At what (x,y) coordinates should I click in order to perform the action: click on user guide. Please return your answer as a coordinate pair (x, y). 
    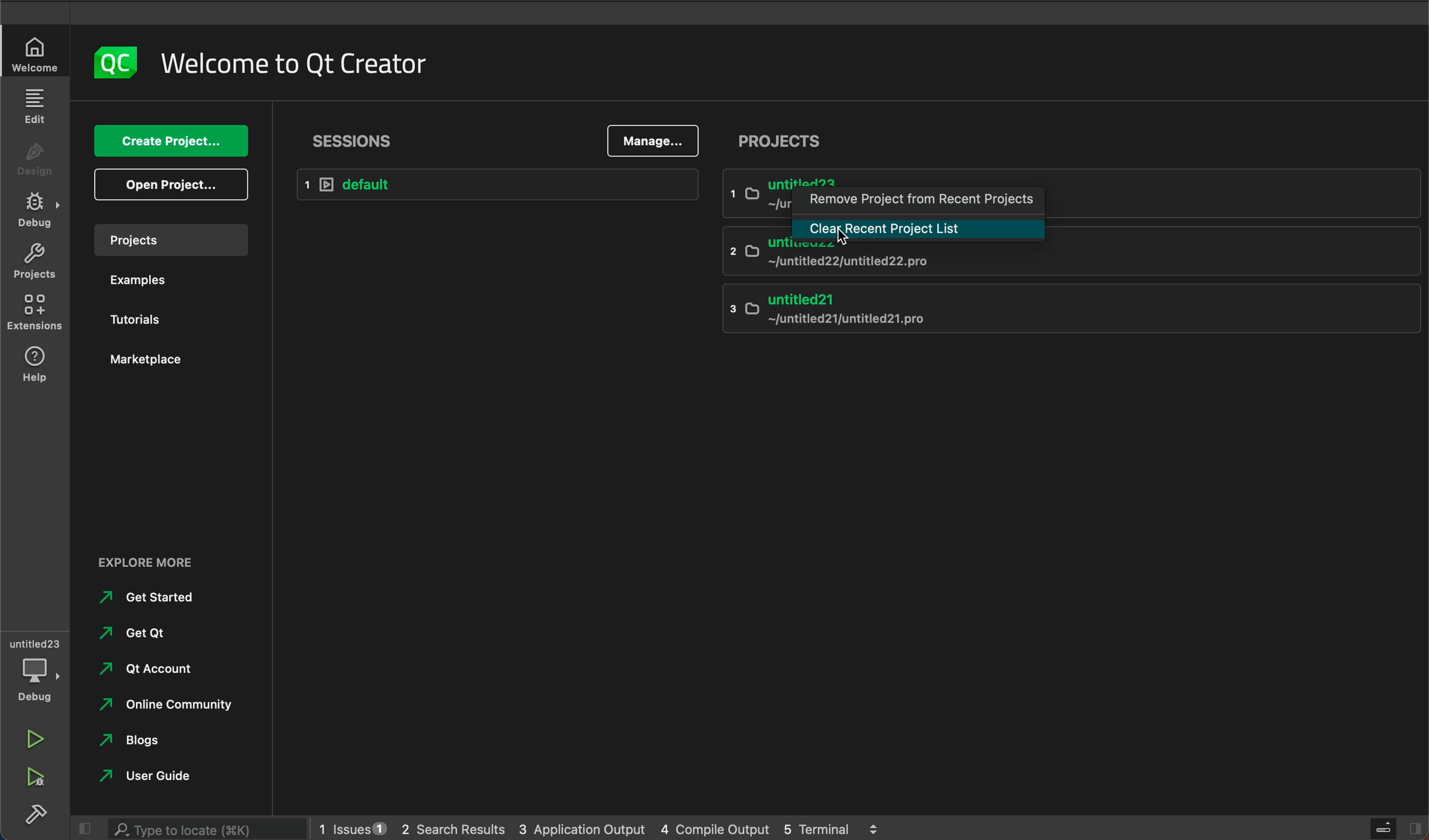
    Looking at the image, I should click on (158, 777).